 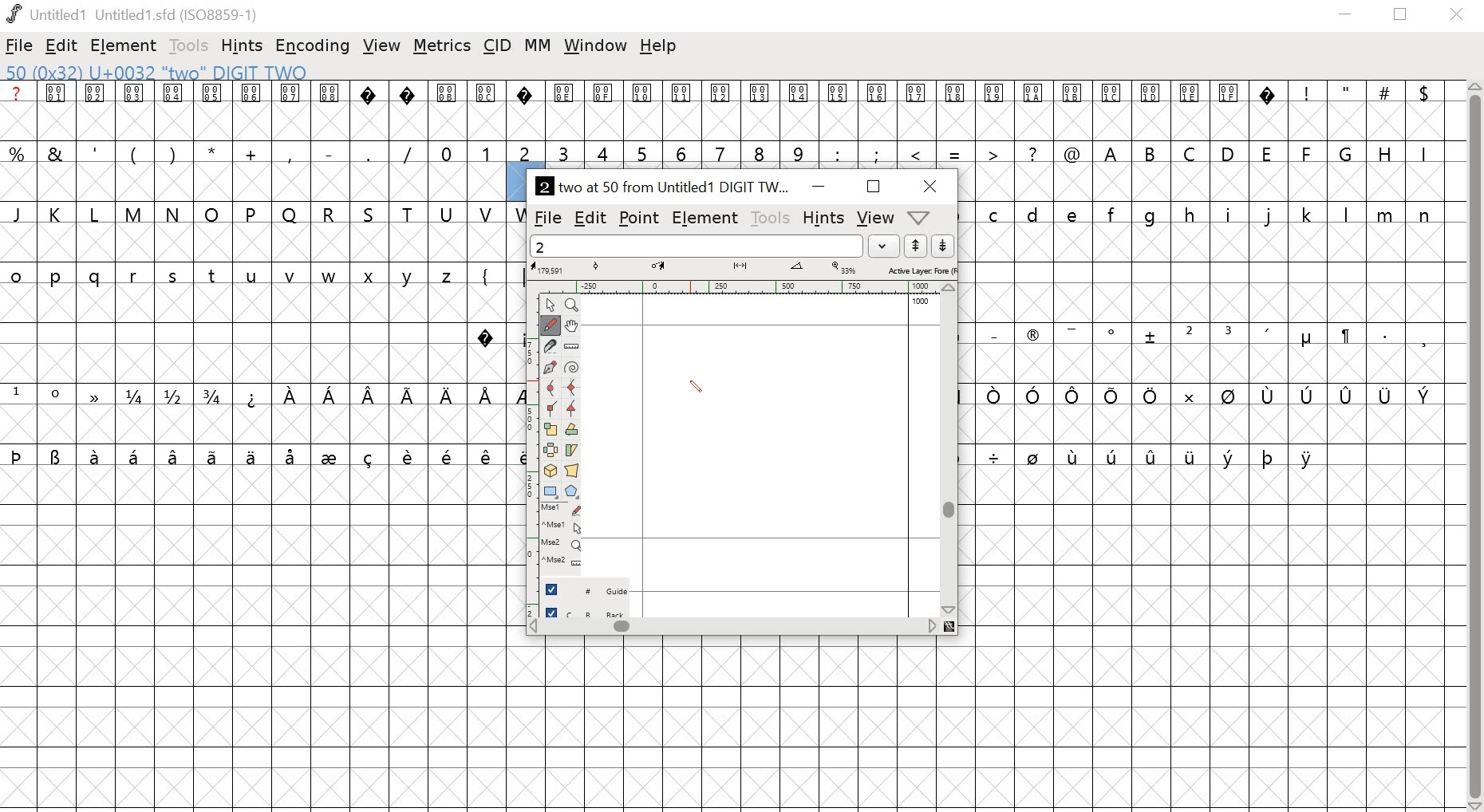 What do you see at coordinates (1473, 447) in the screenshot?
I see `scrollbar` at bounding box center [1473, 447].